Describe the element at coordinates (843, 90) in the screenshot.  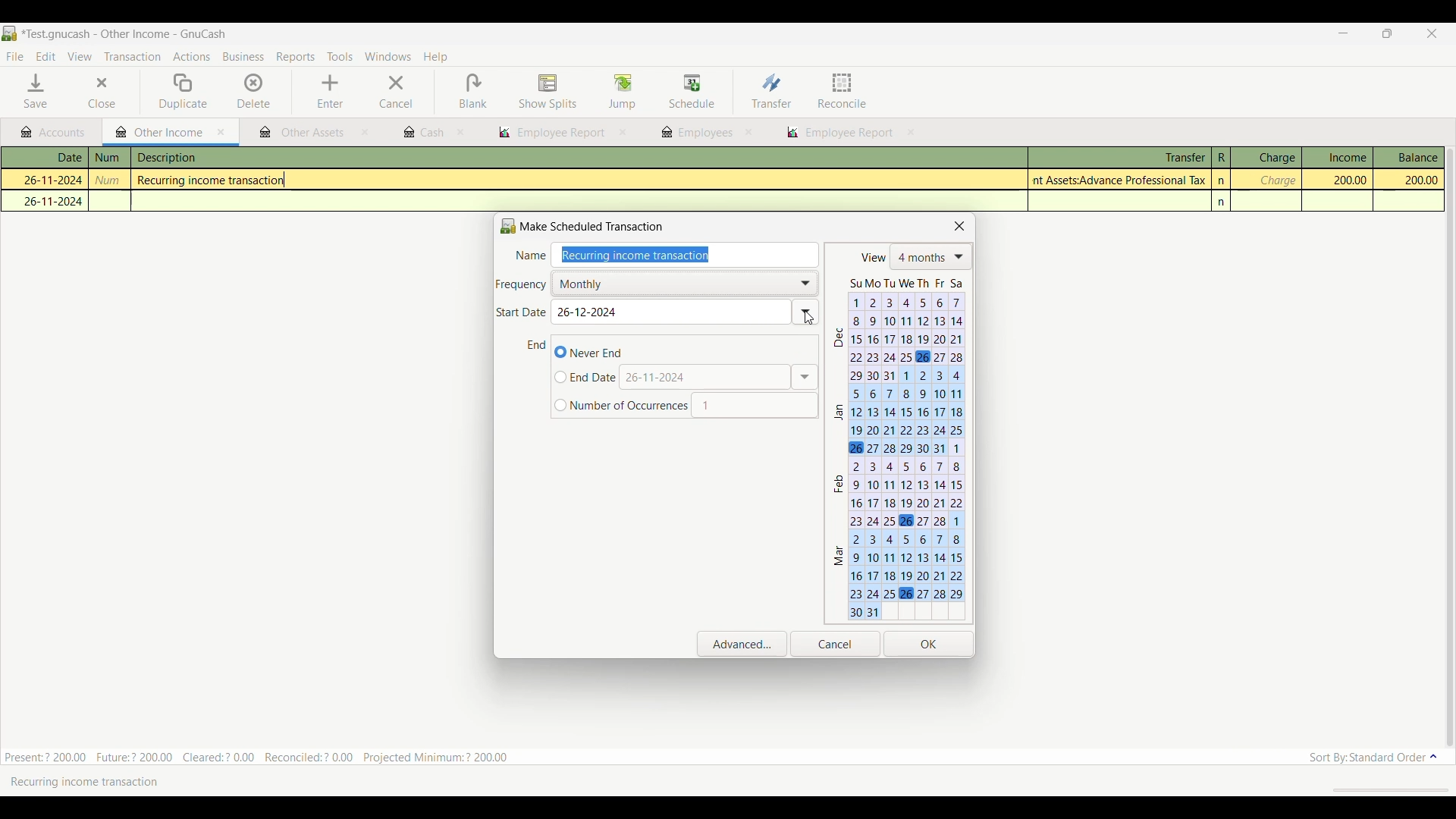
I see `Reconcile` at that location.